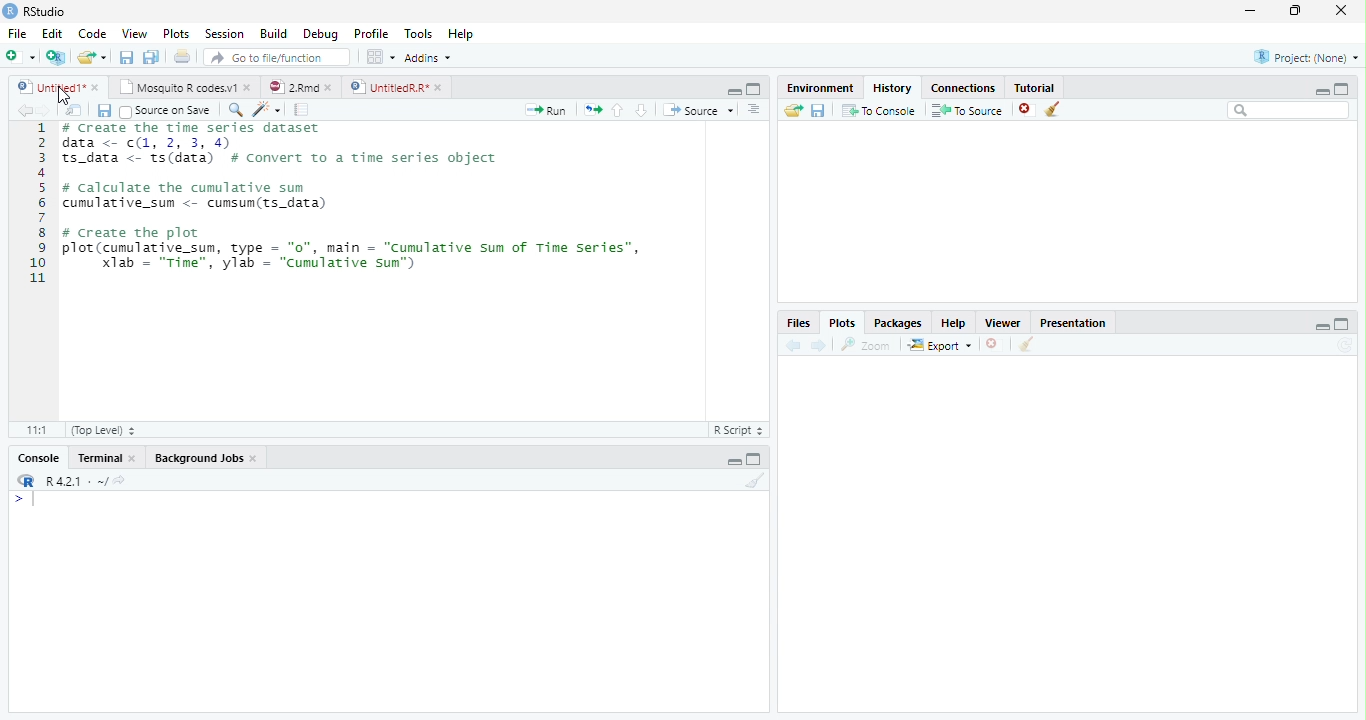  What do you see at coordinates (36, 10) in the screenshot?
I see `Rstudio` at bounding box center [36, 10].